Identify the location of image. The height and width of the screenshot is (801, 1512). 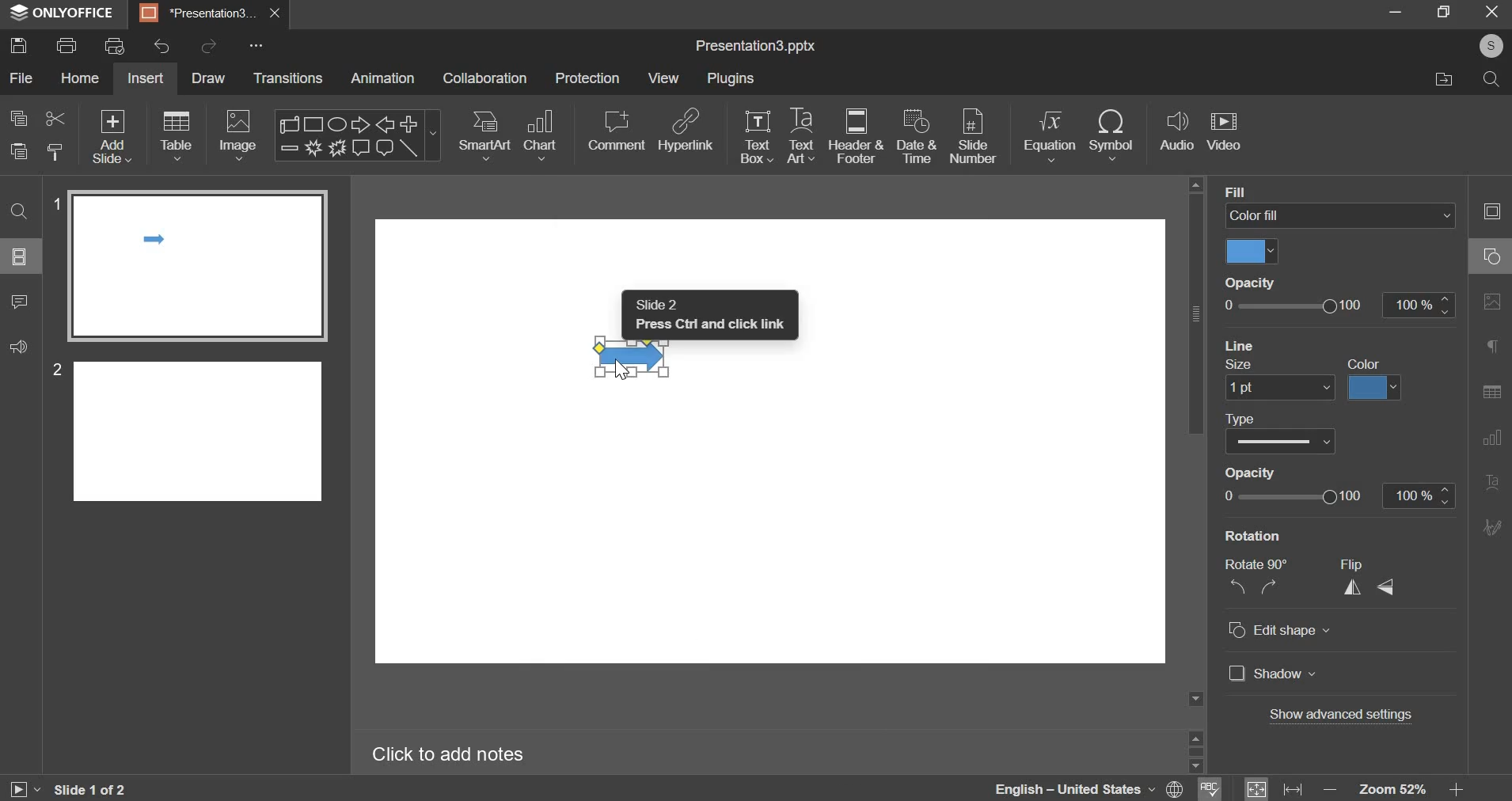
(237, 135).